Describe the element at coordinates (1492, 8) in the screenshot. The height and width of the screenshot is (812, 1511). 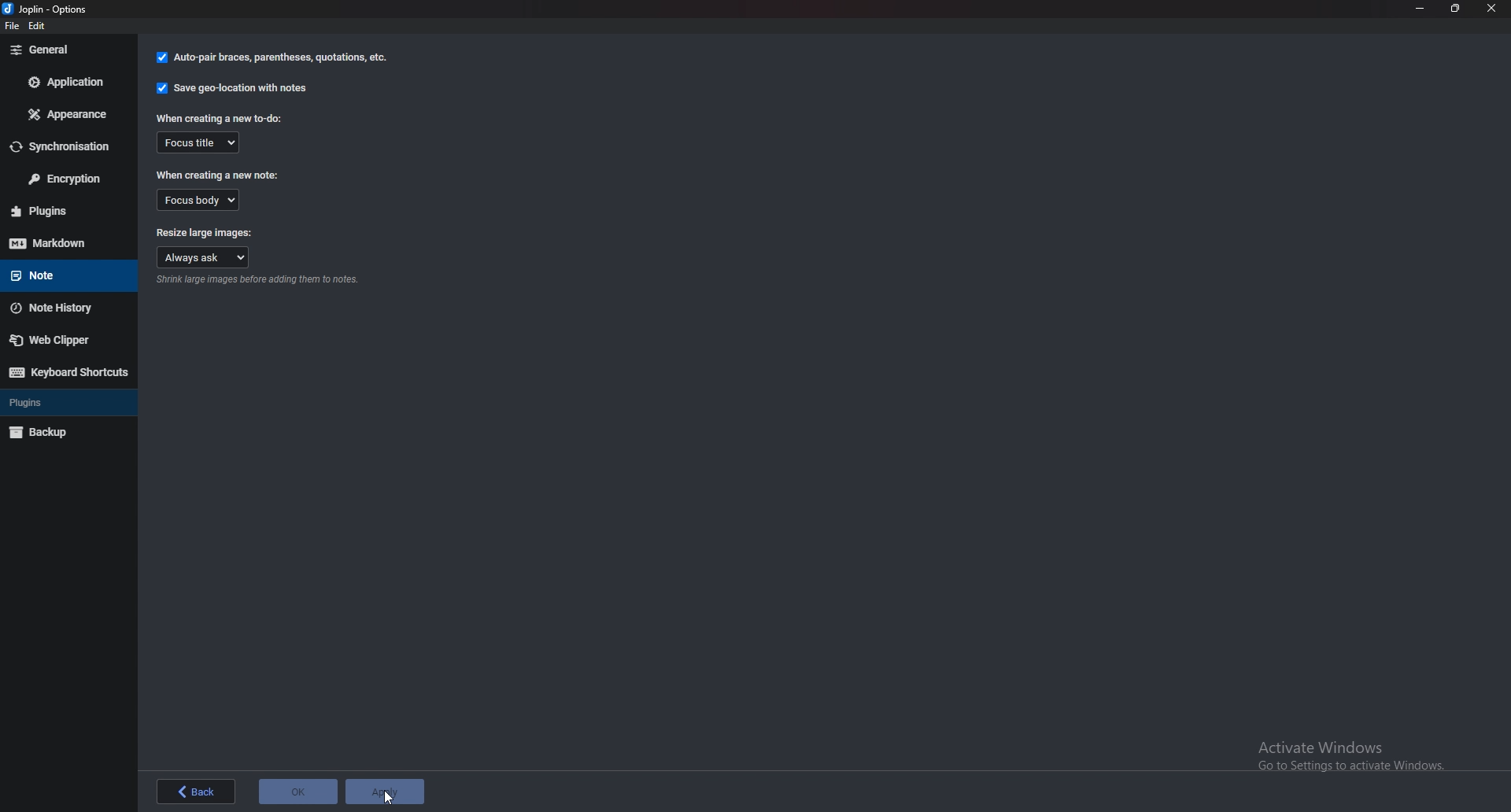
I see `close` at that location.